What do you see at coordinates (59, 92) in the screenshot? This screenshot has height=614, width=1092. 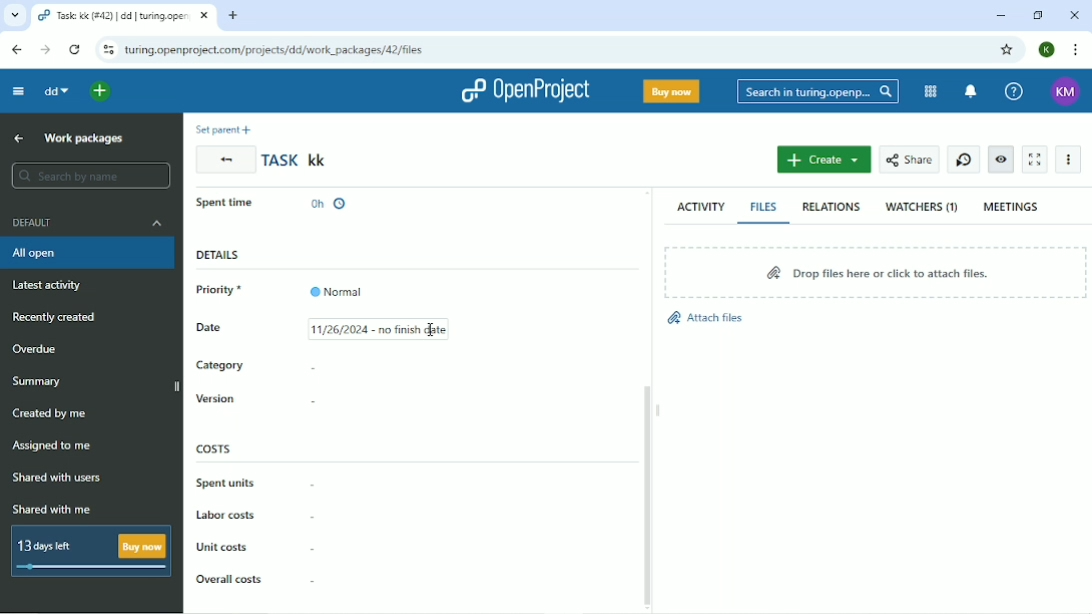 I see `dd` at bounding box center [59, 92].